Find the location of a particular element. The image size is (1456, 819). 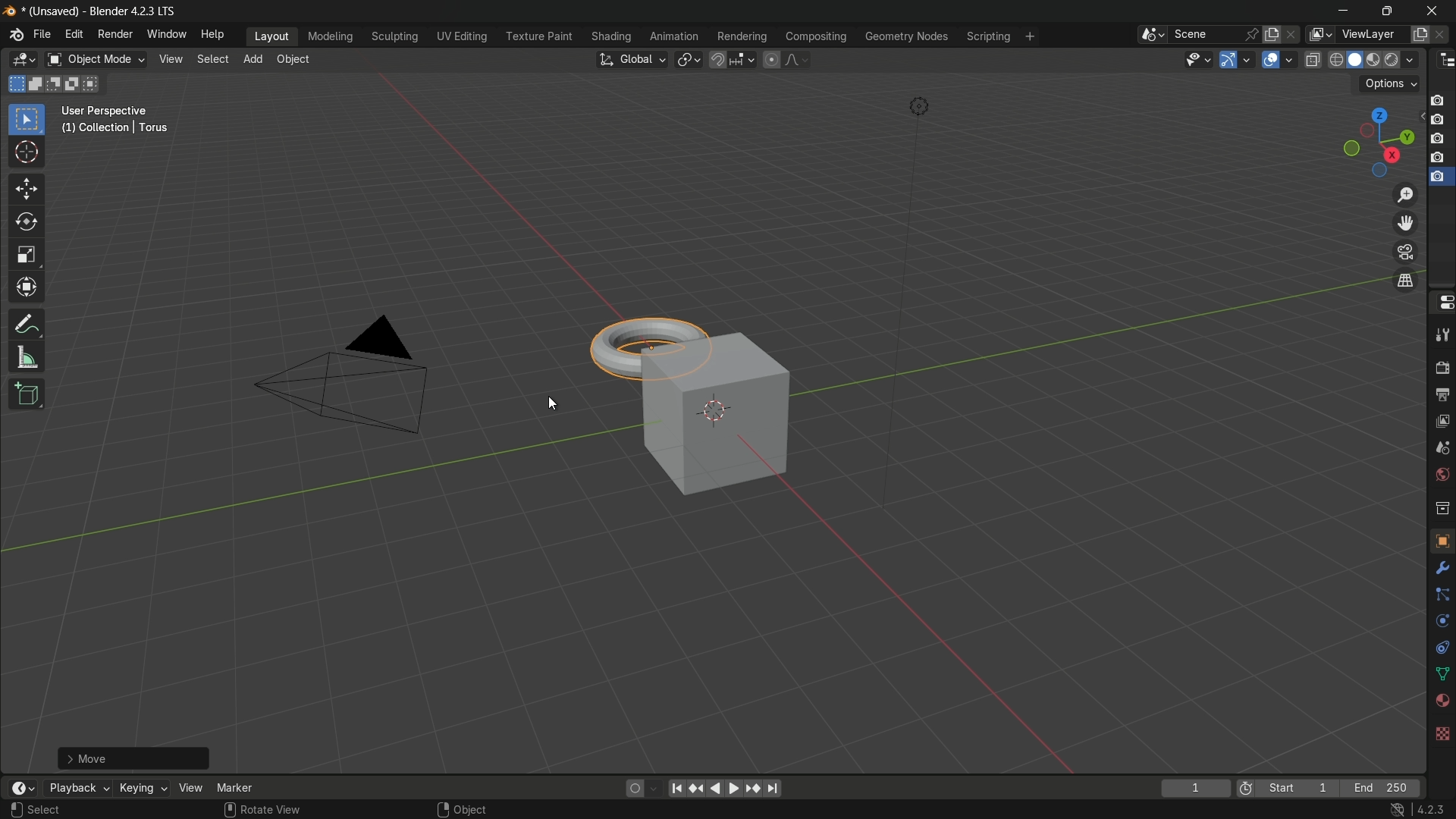

geometry nodes is located at coordinates (905, 37).